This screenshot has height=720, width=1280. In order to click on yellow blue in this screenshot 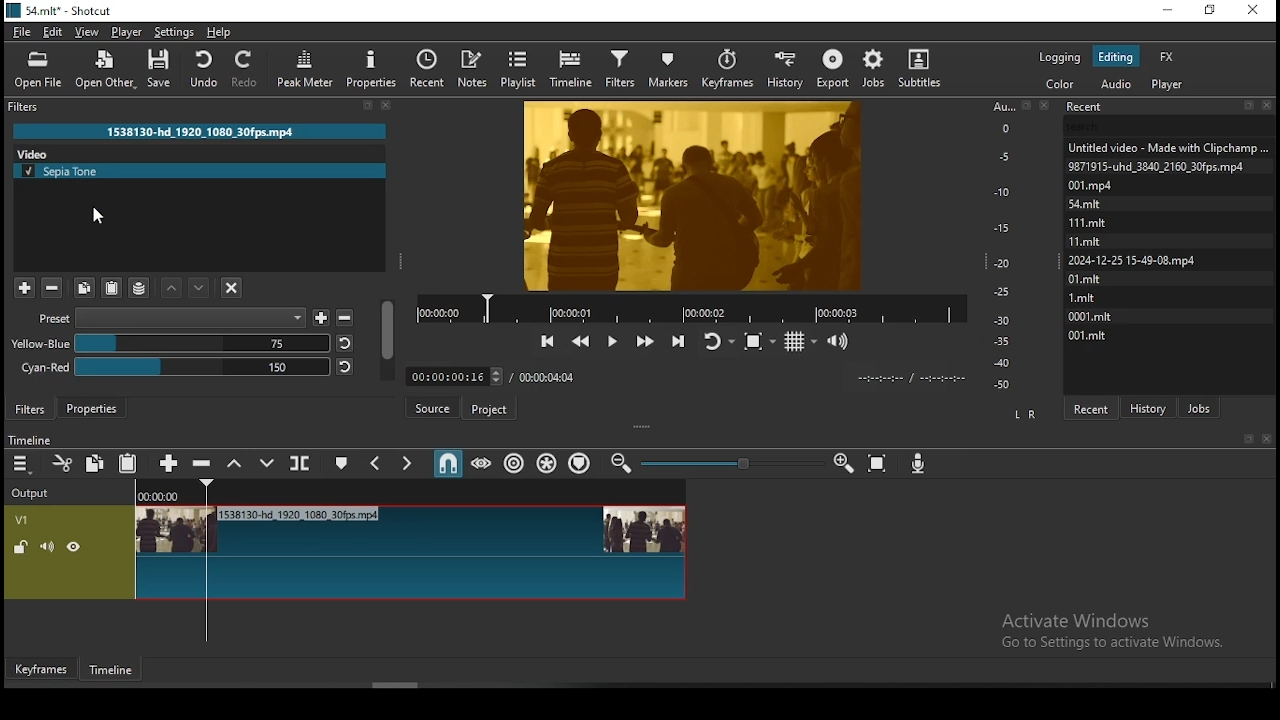, I will do `click(170, 343)`.